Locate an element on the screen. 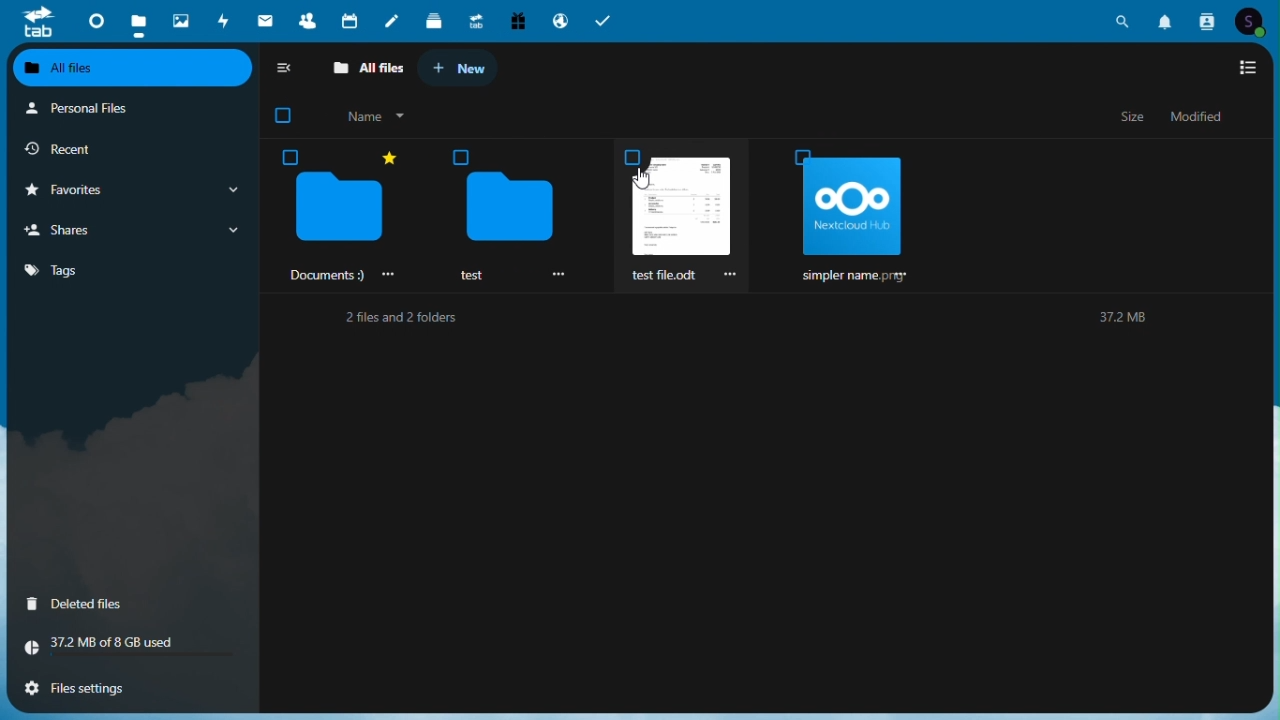 The image size is (1280, 720). Delete files is located at coordinates (123, 605).